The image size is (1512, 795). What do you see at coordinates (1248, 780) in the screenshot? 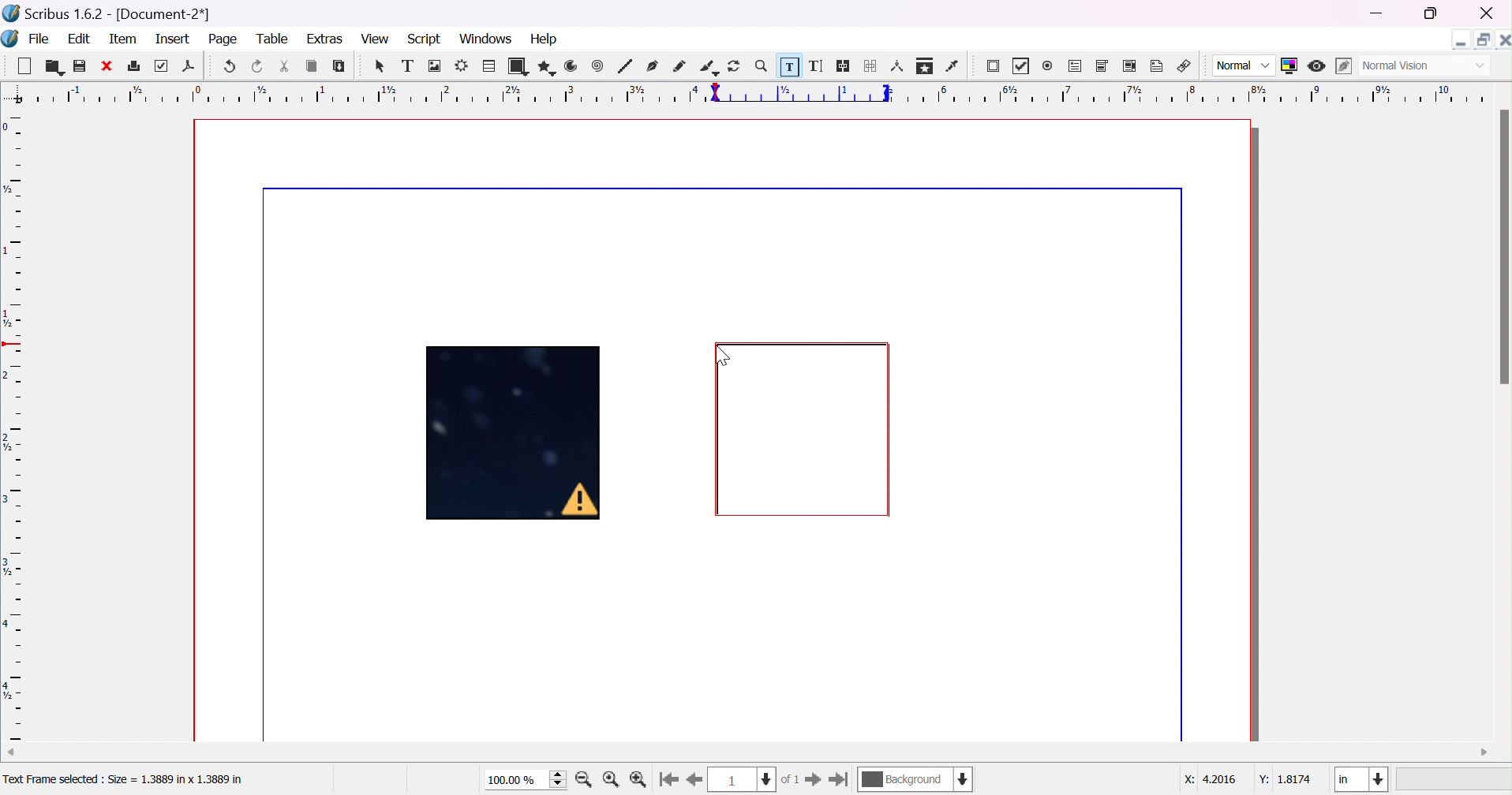
I see `X: 42016  Y: 1.8174` at bounding box center [1248, 780].